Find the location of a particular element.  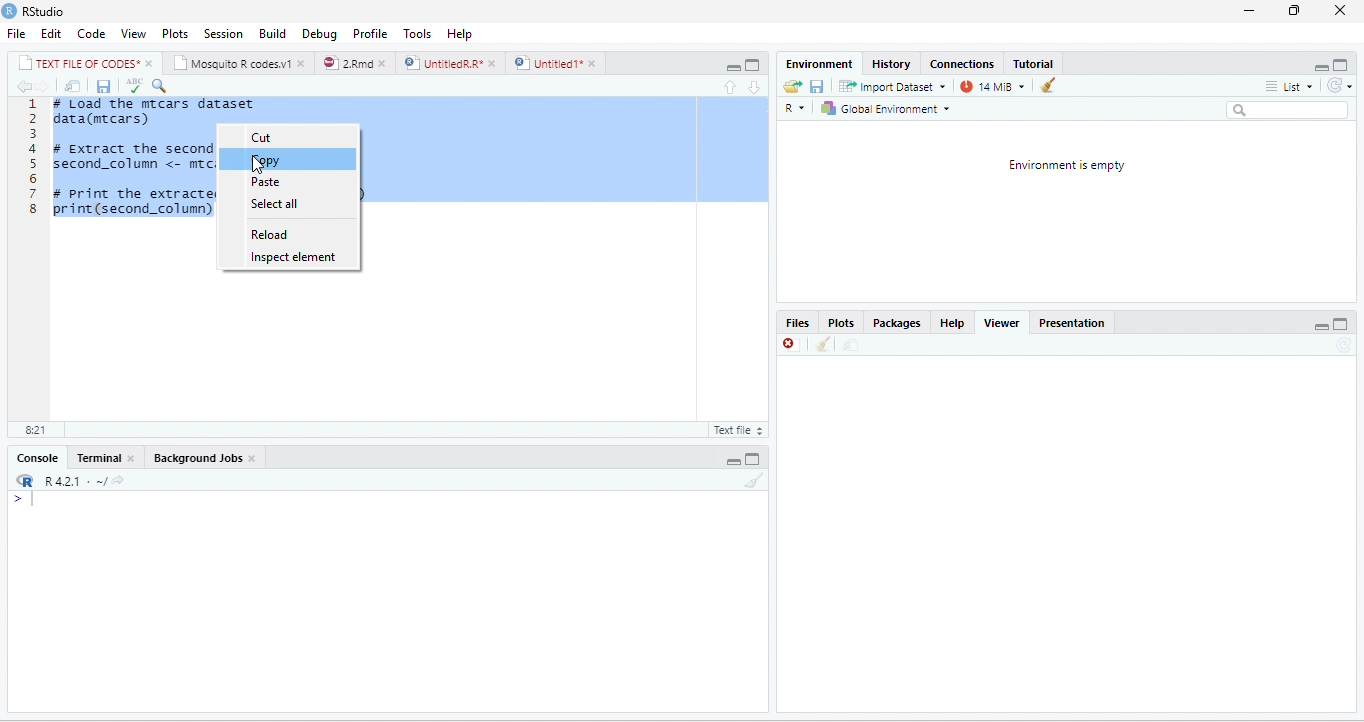

‘Environment is located at coordinates (817, 64).